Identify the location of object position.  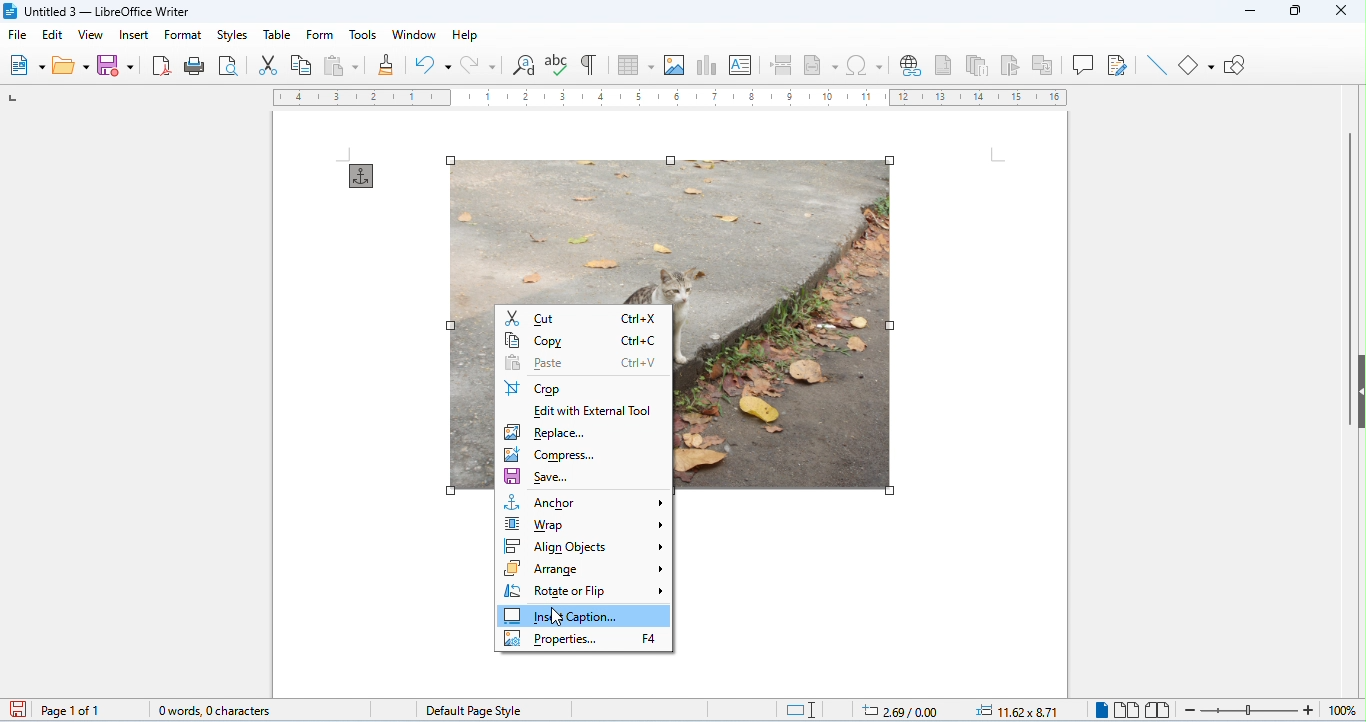
(1019, 710).